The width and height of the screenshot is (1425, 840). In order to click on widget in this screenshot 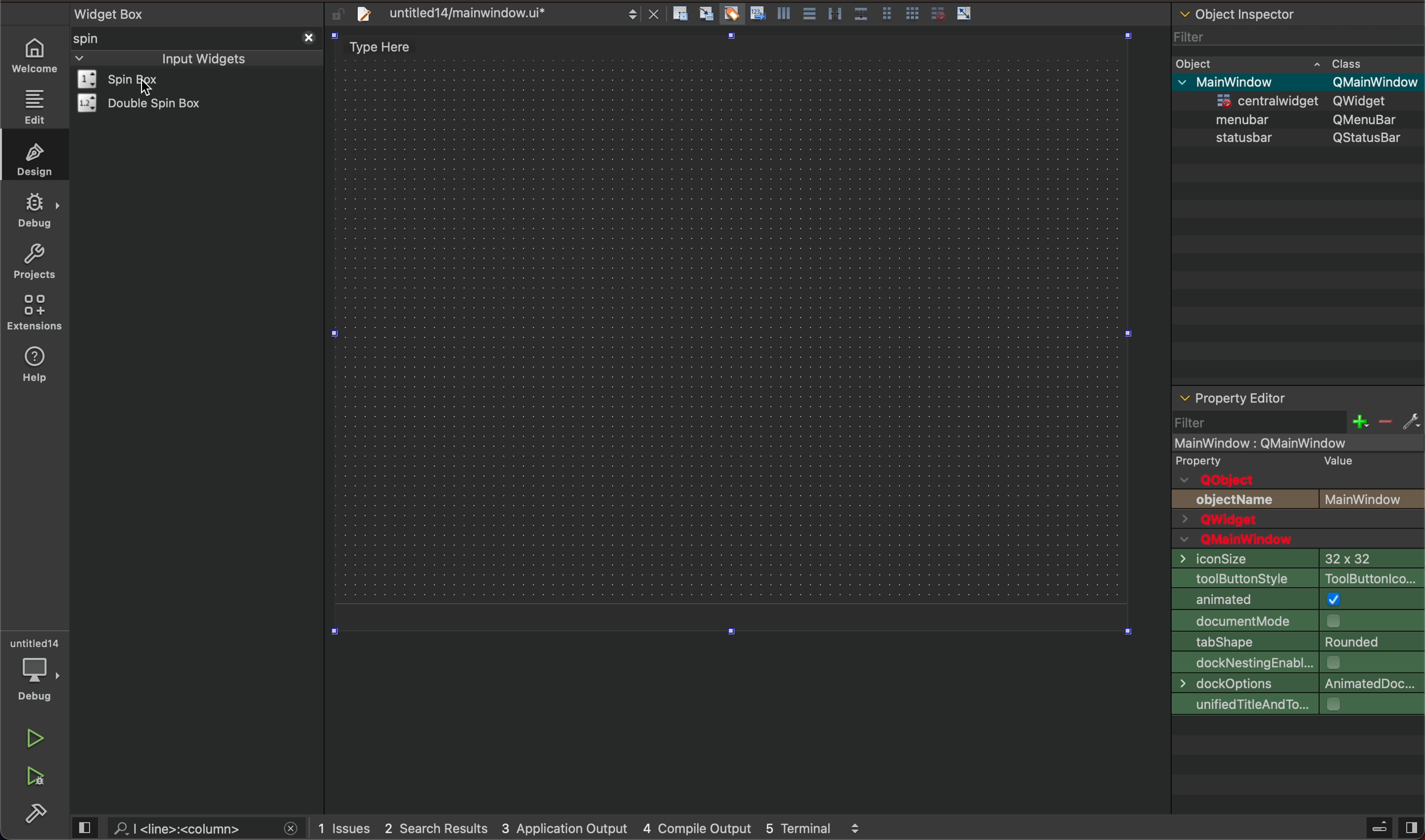, I will do `click(134, 79)`.